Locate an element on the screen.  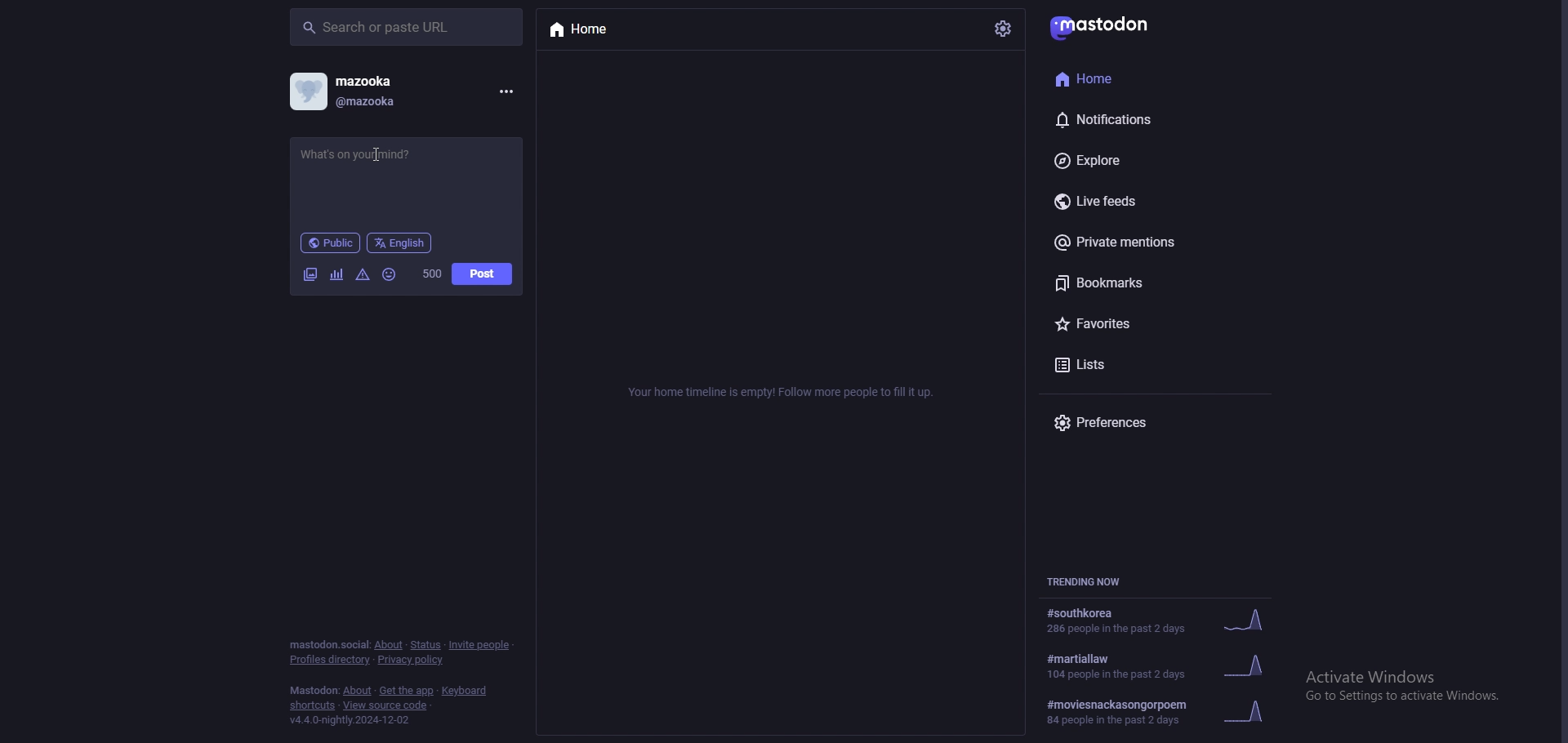
version is located at coordinates (351, 720).